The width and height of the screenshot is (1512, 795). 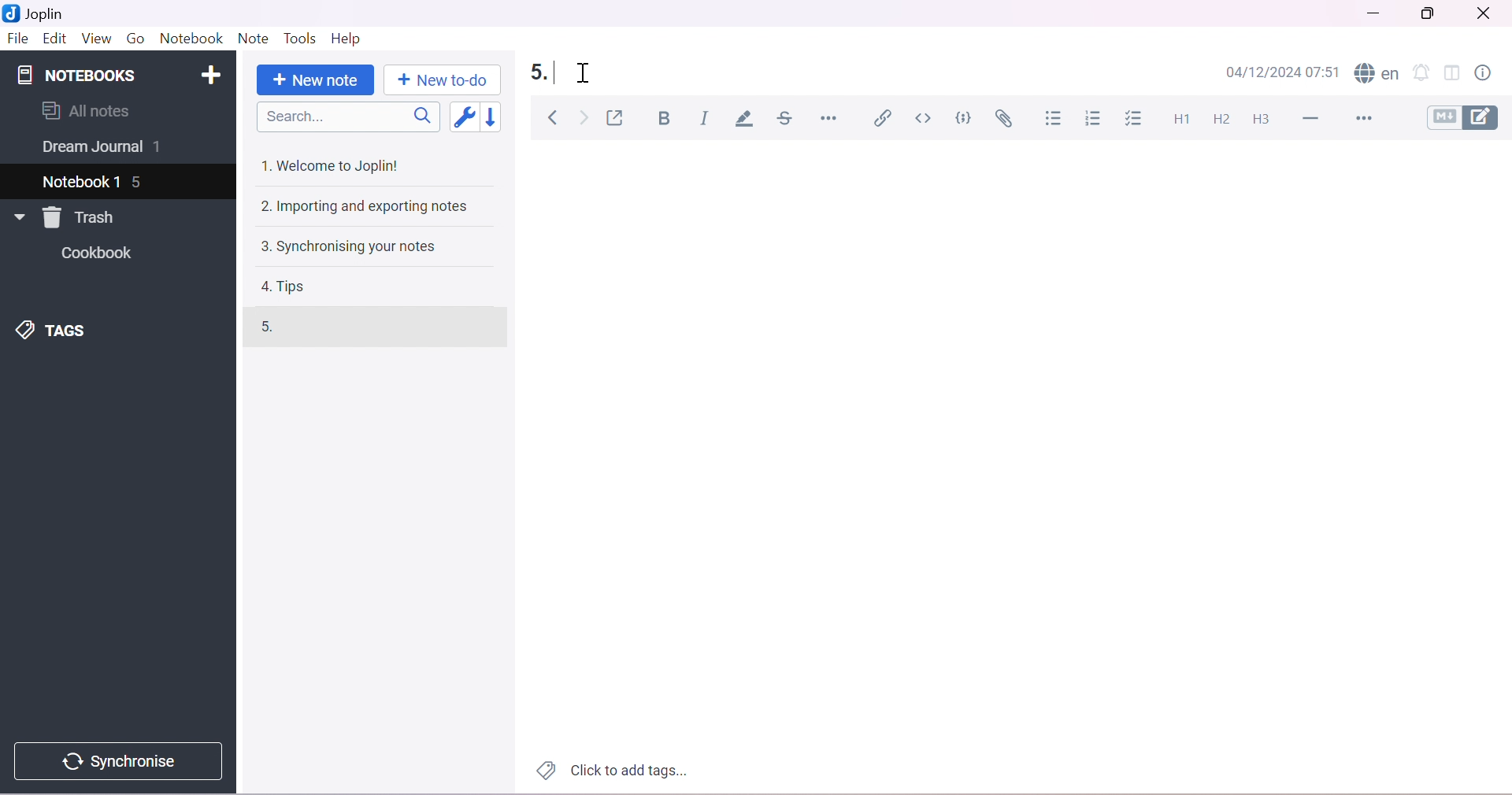 I want to click on Synchronise, so click(x=124, y=761).